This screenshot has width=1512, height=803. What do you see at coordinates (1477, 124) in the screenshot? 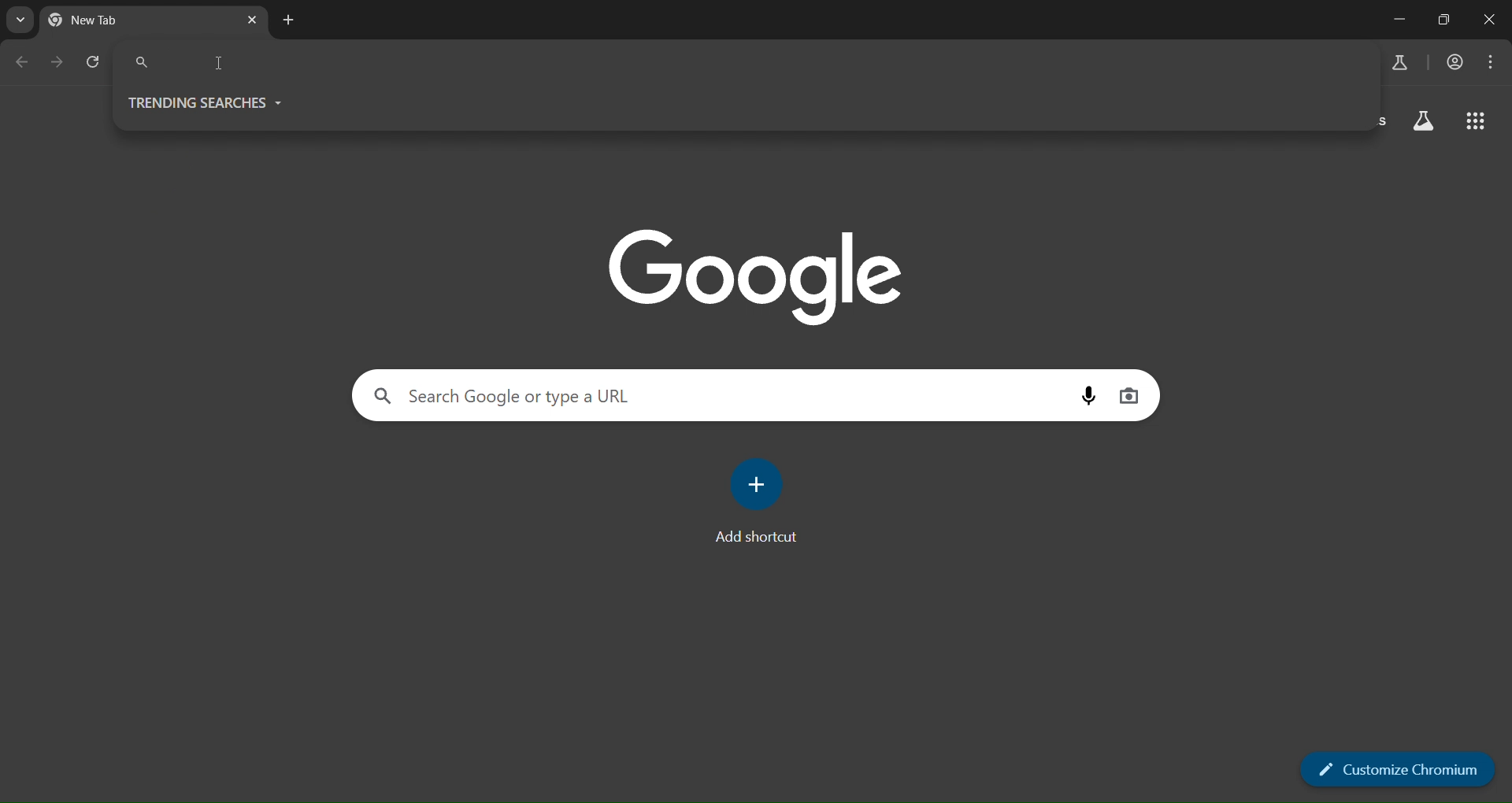
I see `google apps` at bounding box center [1477, 124].